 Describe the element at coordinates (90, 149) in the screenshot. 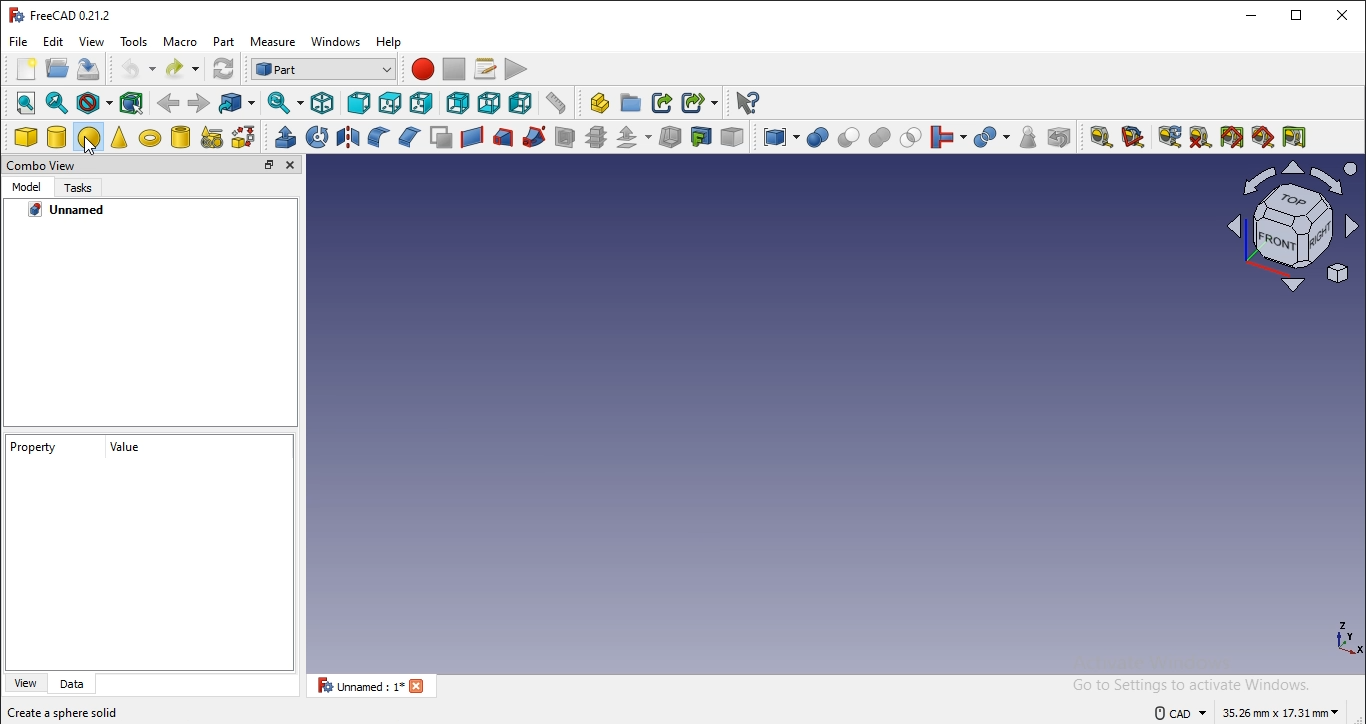

I see `cursor` at that location.